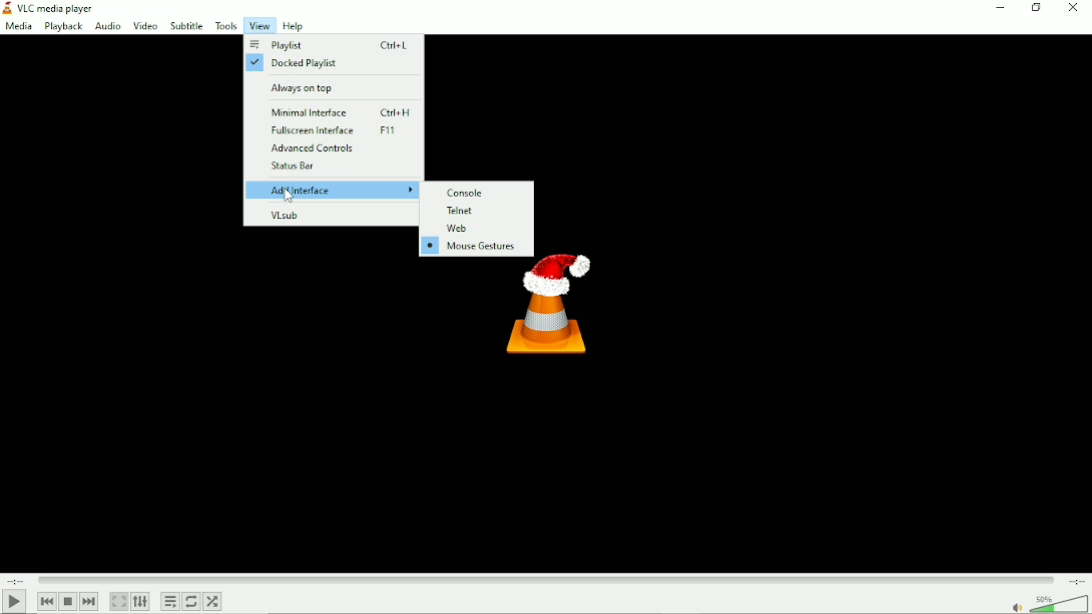 The height and width of the screenshot is (614, 1092). Describe the element at coordinates (226, 26) in the screenshot. I see `Tools` at that location.